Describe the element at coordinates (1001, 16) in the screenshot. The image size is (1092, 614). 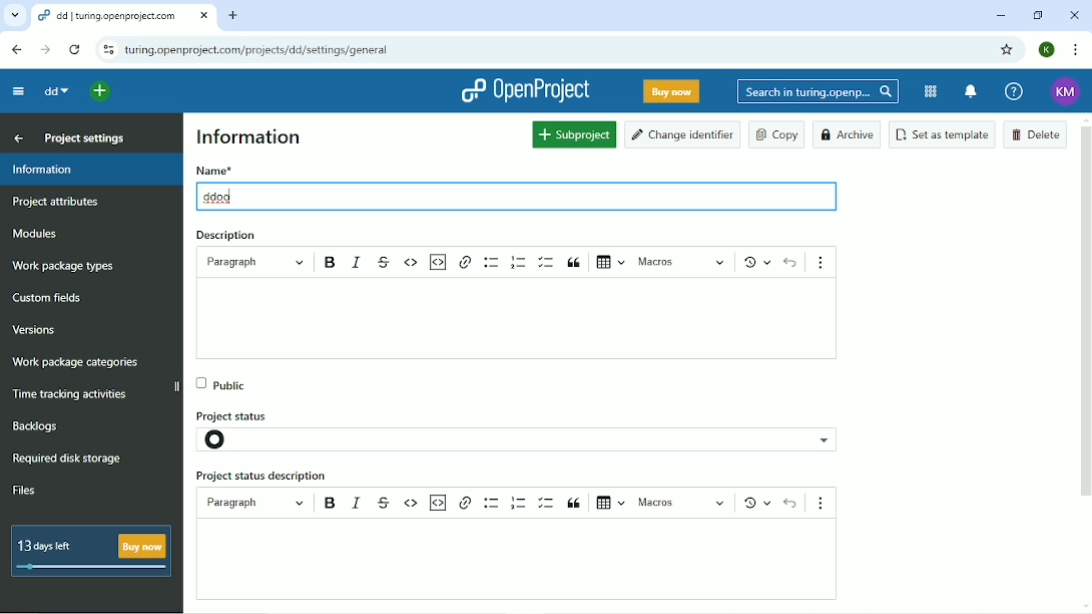
I see `Minimize` at that location.